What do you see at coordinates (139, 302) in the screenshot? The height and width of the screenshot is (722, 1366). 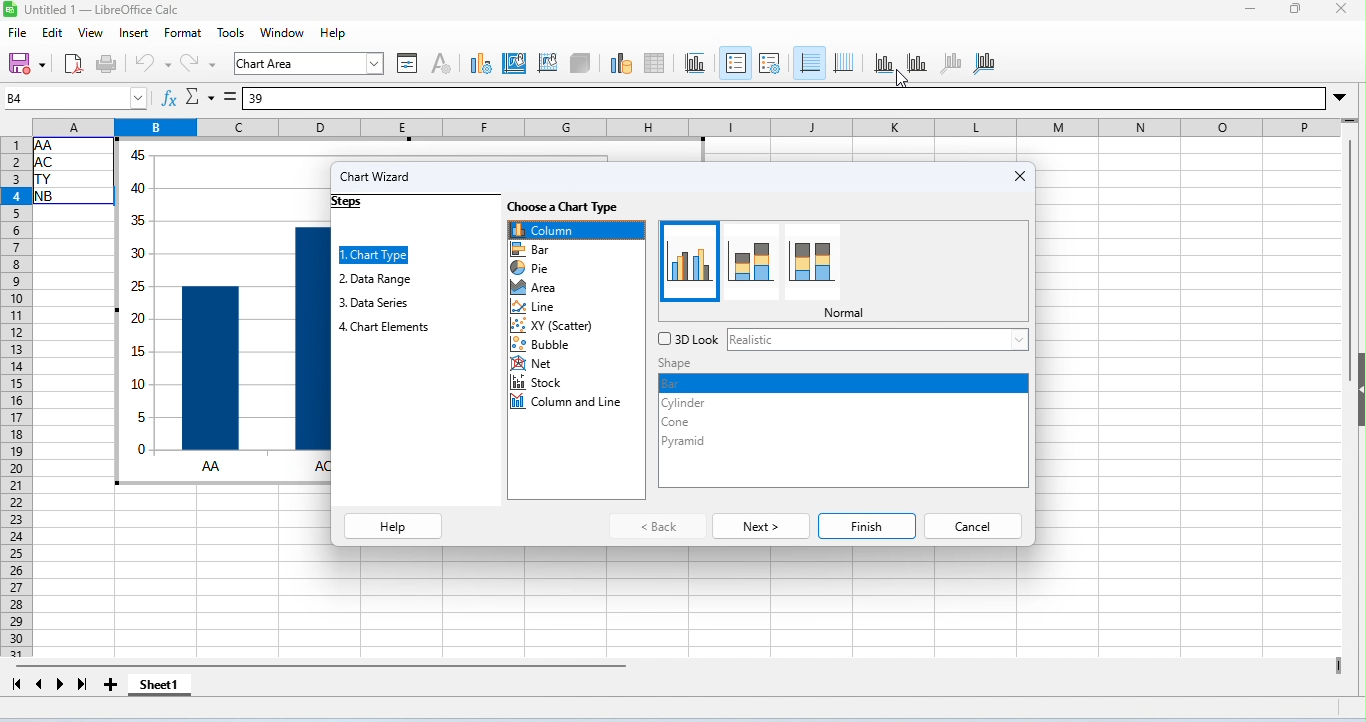 I see `values` at bounding box center [139, 302].